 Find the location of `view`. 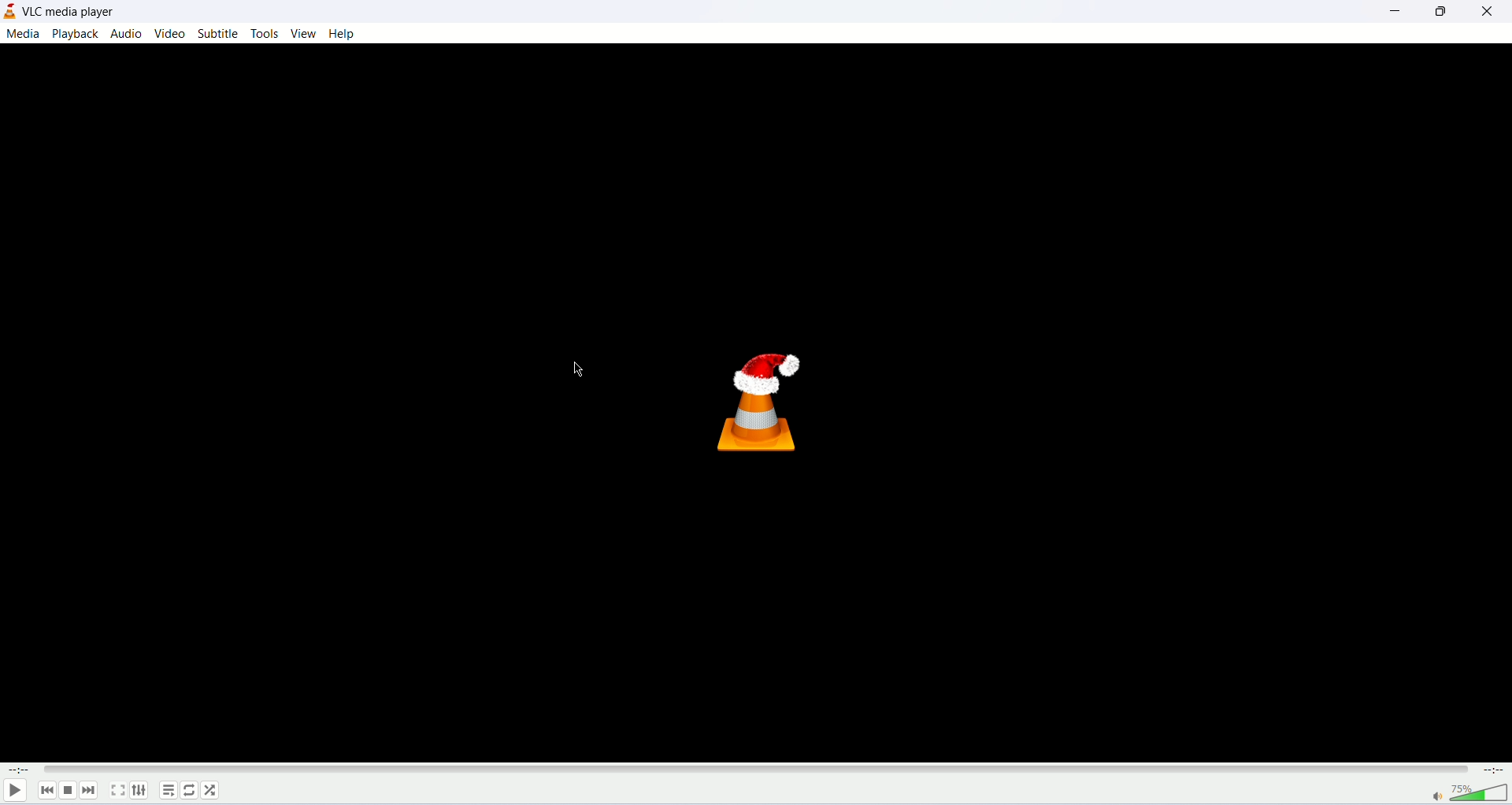

view is located at coordinates (304, 35).